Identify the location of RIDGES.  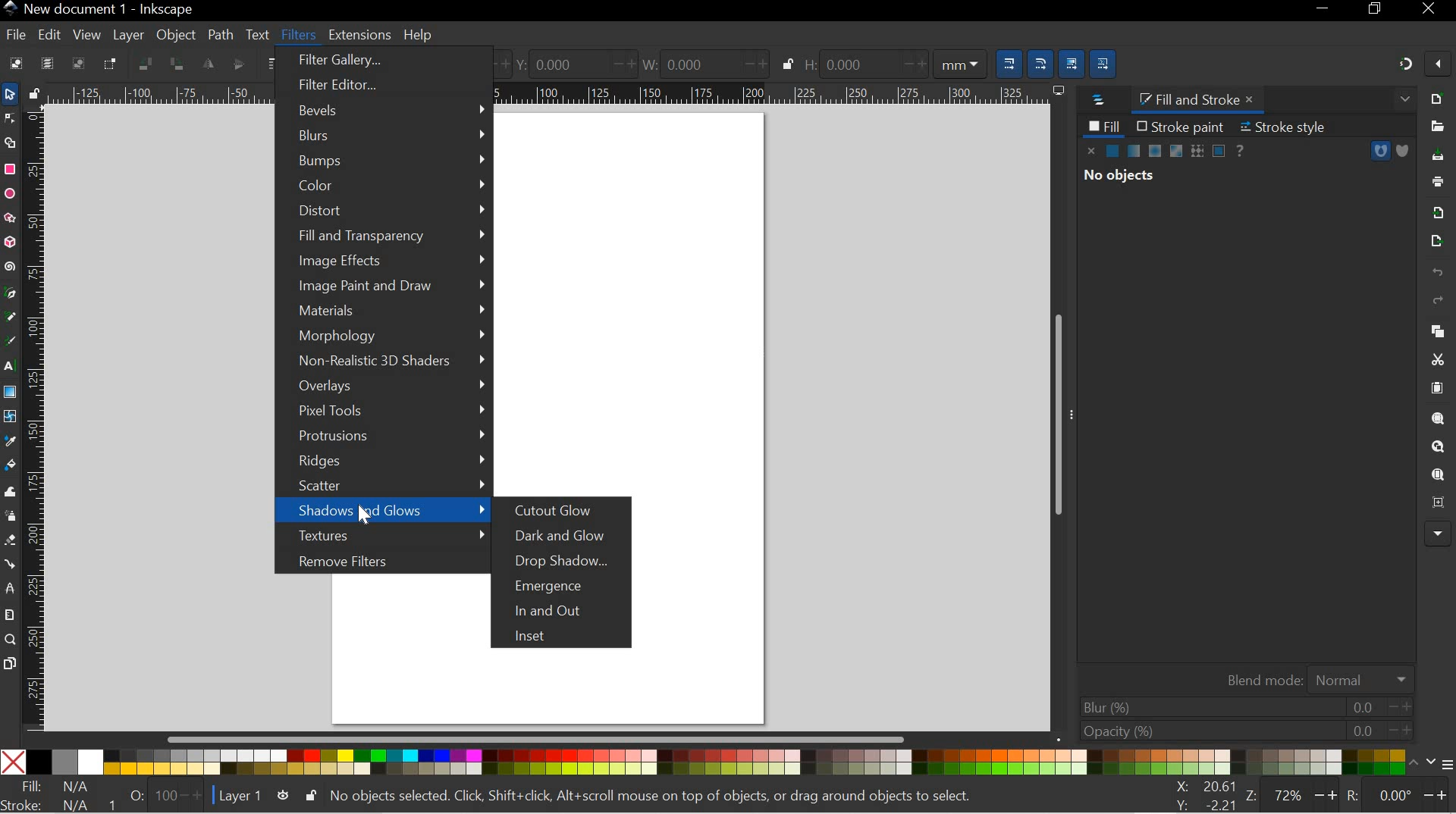
(383, 462).